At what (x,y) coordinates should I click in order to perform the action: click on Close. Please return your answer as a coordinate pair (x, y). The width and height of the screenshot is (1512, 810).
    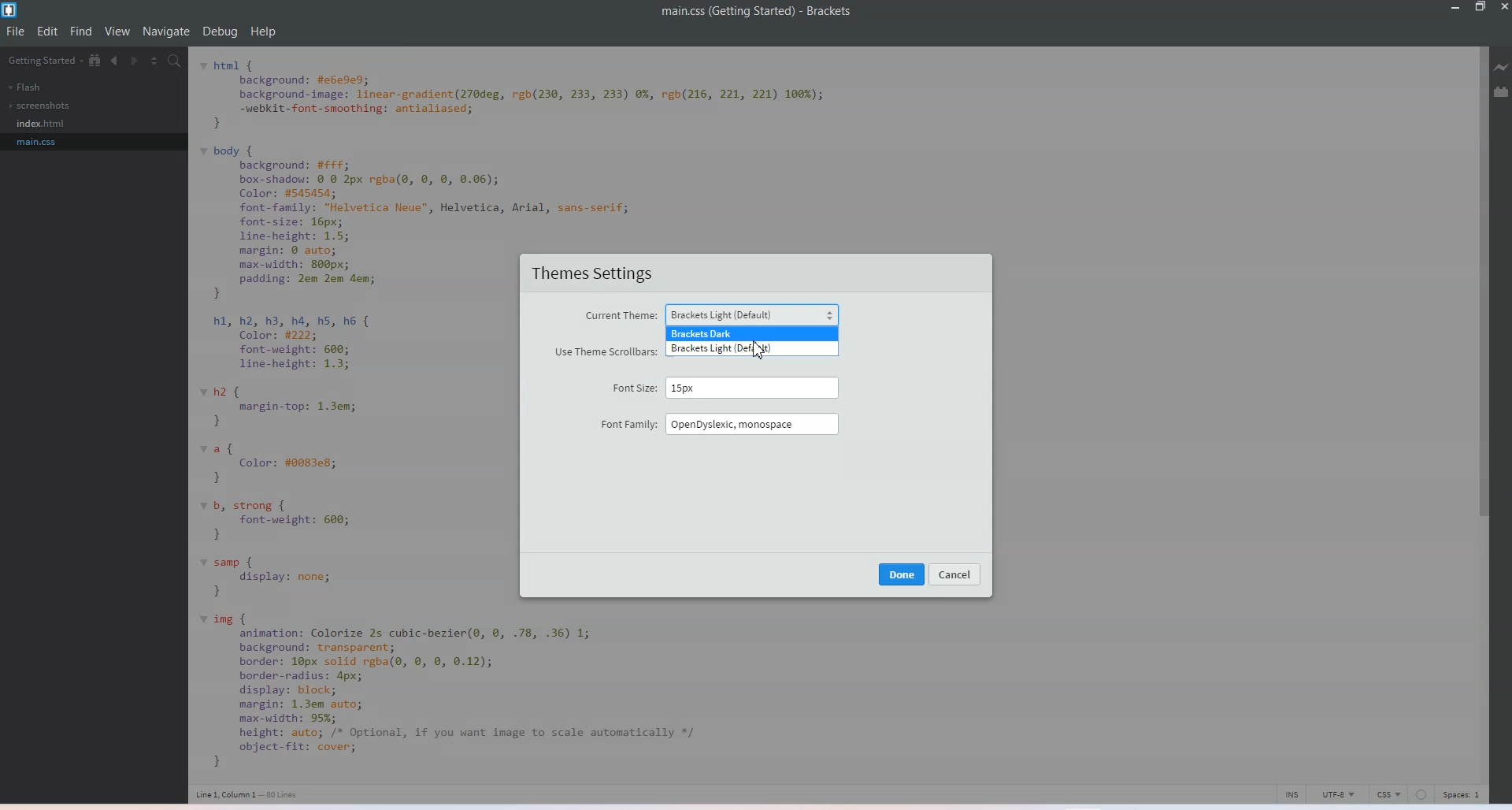
    Looking at the image, I should click on (1503, 7).